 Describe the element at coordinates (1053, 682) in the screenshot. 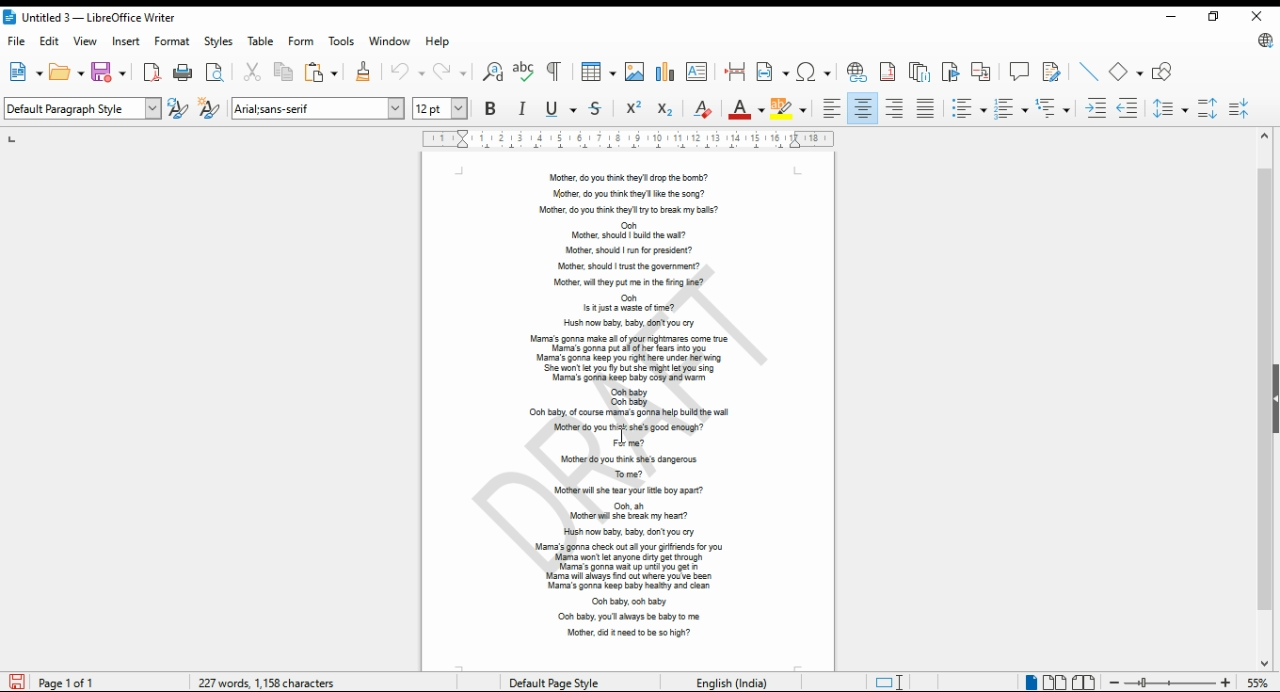

I see `multi page view` at that location.